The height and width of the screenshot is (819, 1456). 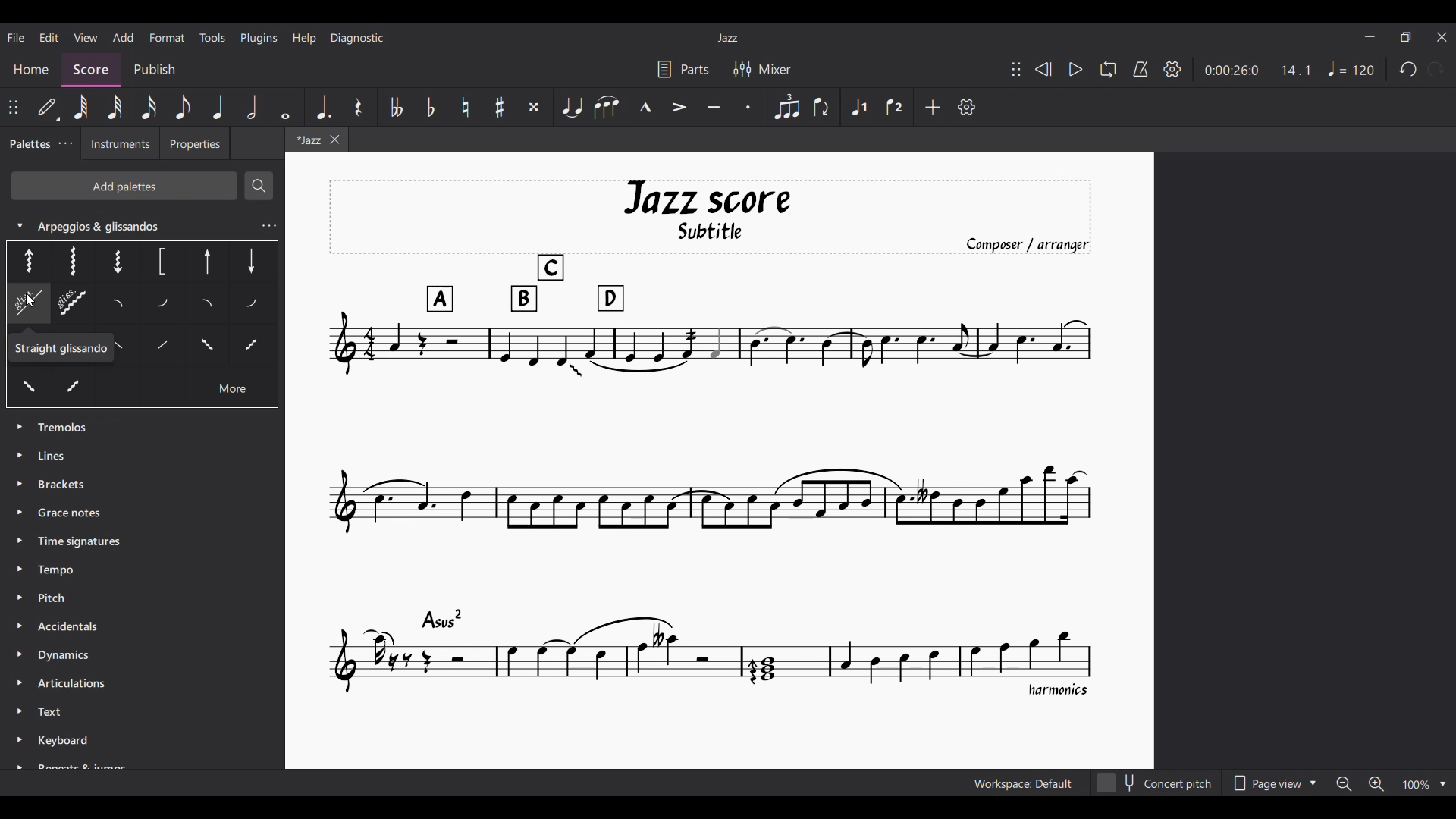 What do you see at coordinates (115, 260) in the screenshot?
I see `Plate 3` at bounding box center [115, 260].